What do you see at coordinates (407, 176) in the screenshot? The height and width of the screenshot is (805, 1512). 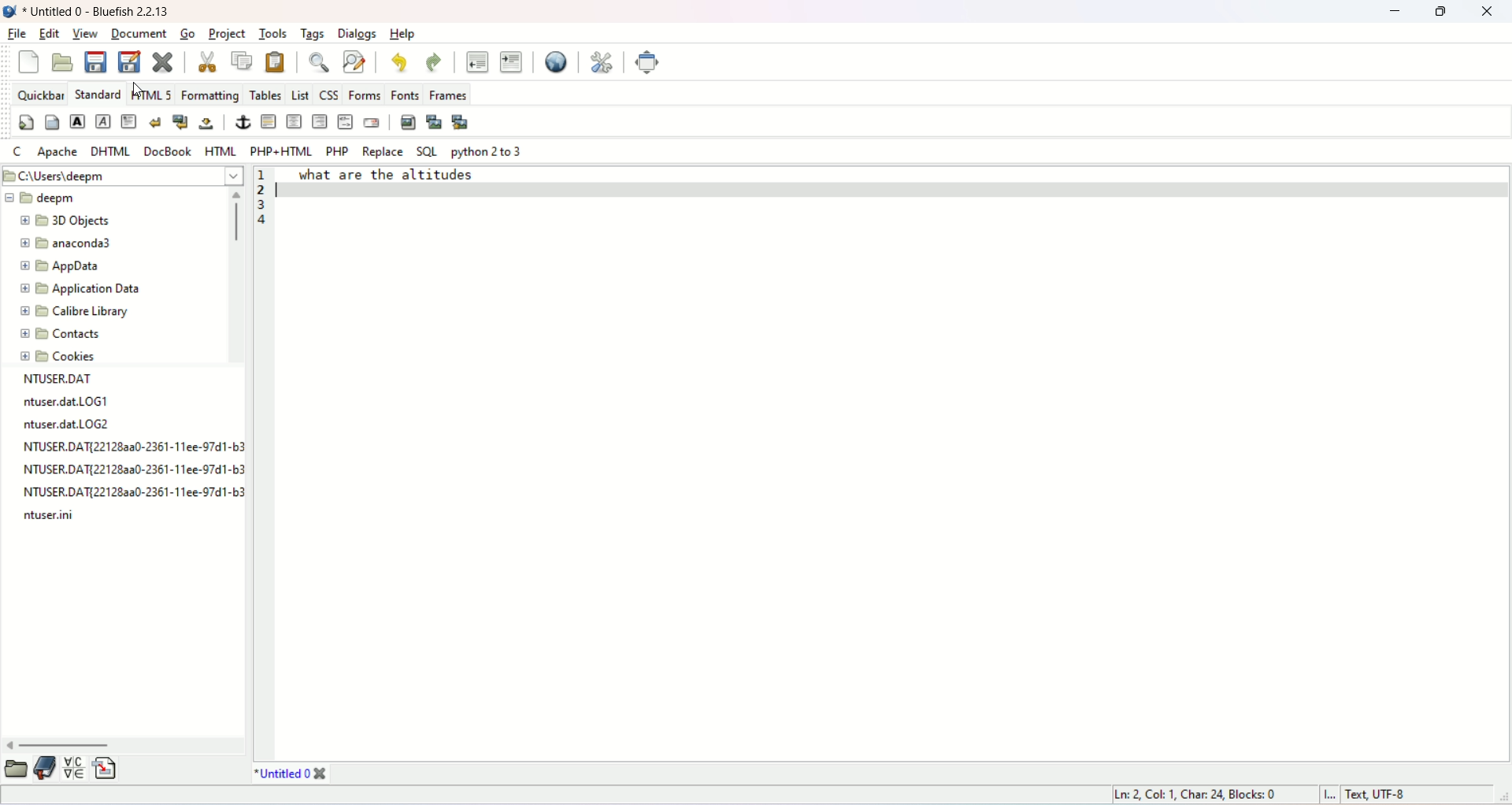 I see `text` at bounding box center [407, 176].